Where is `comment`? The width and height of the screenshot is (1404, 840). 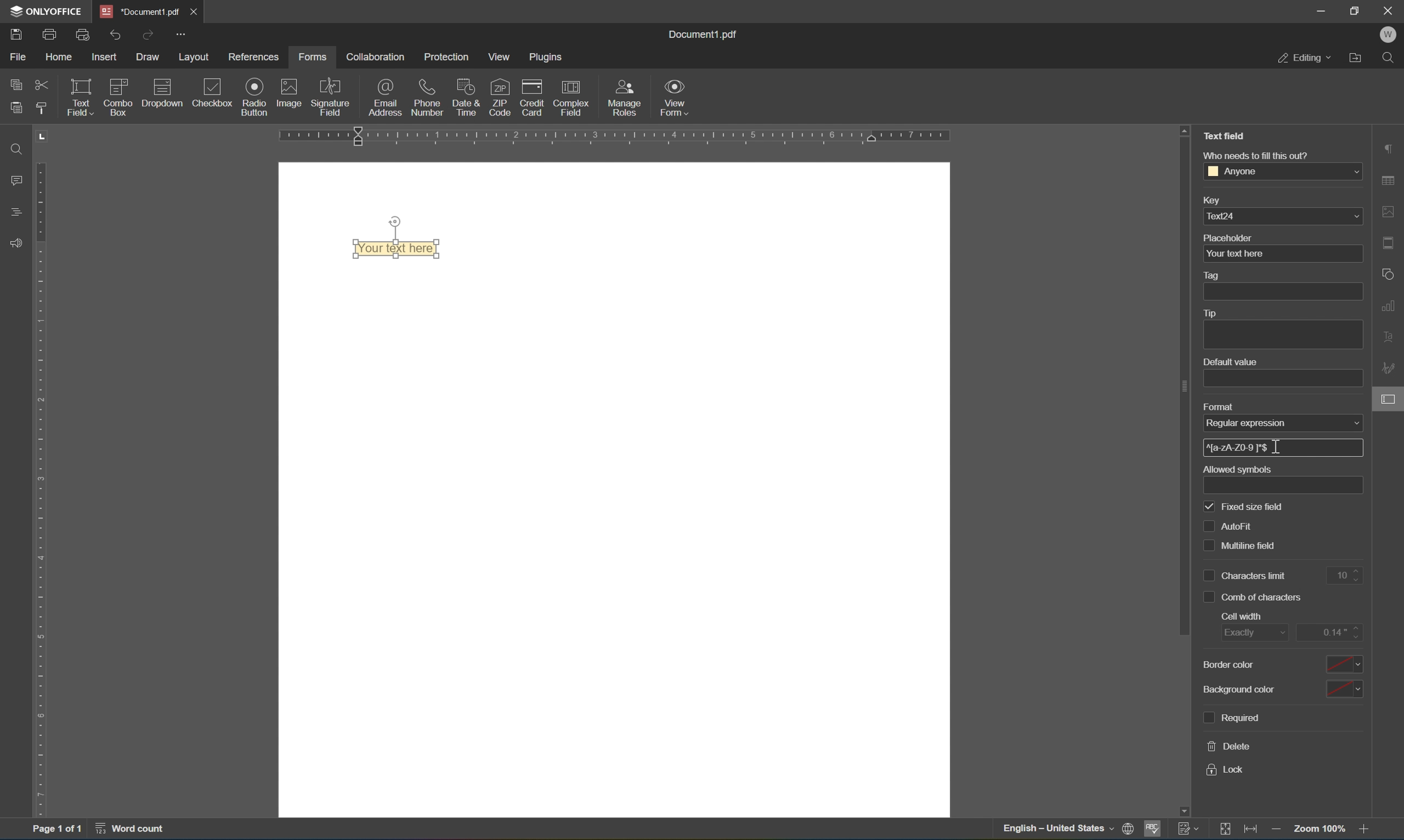
comment is located at coordinates (14, 180).